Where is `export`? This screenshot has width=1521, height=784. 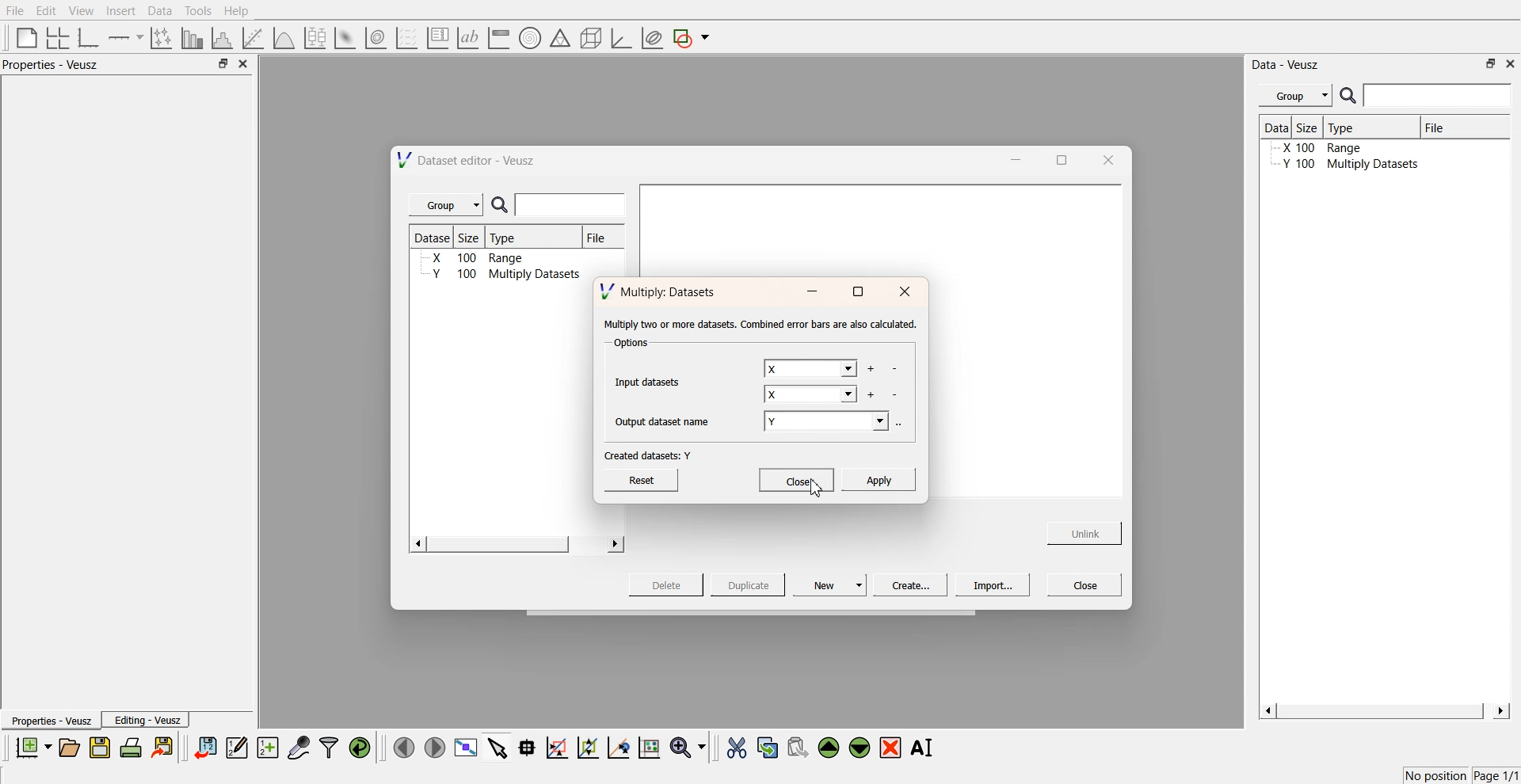
export is located at coordinates (164, 747).